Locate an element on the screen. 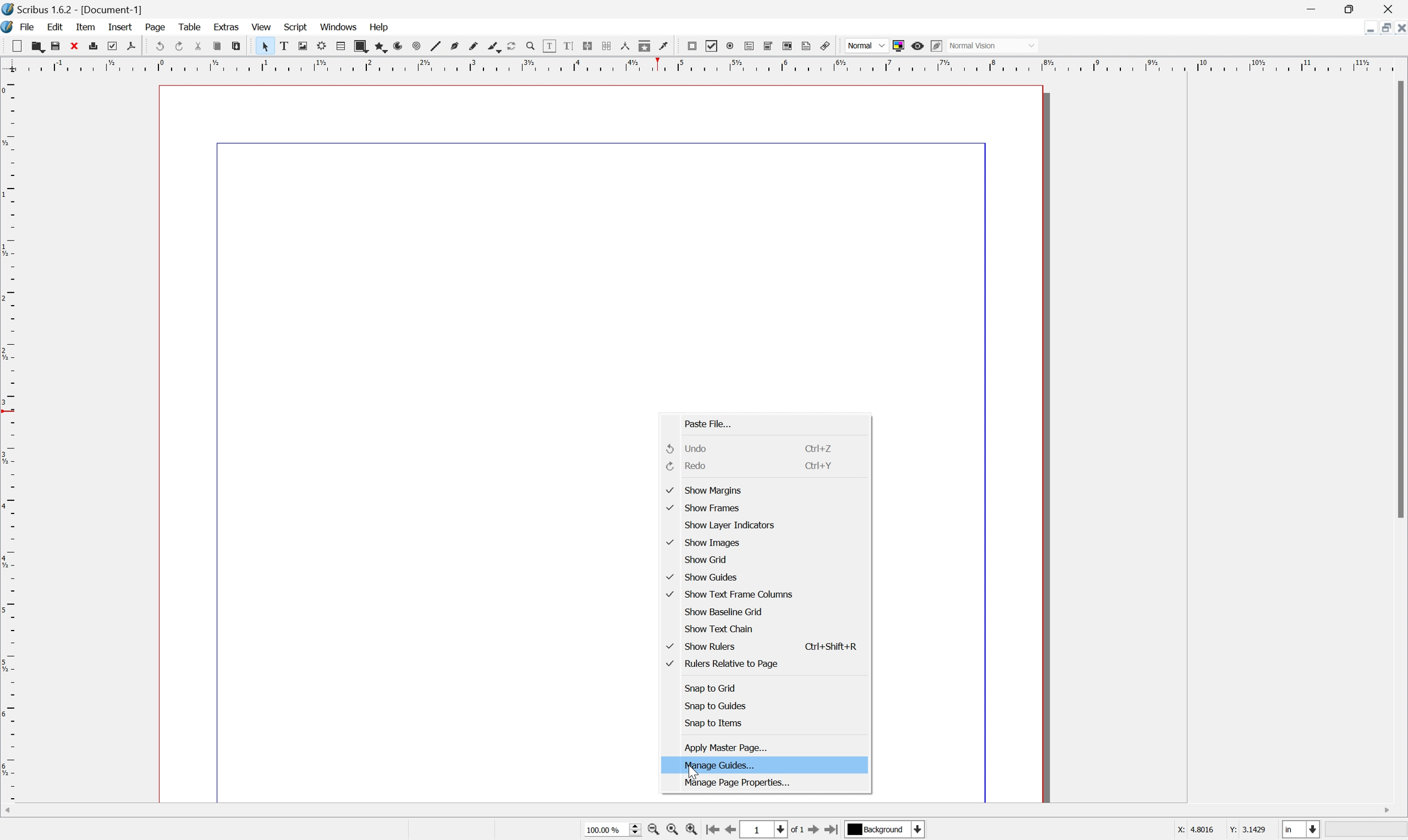  rotate item is located at coordinates (511, 46).